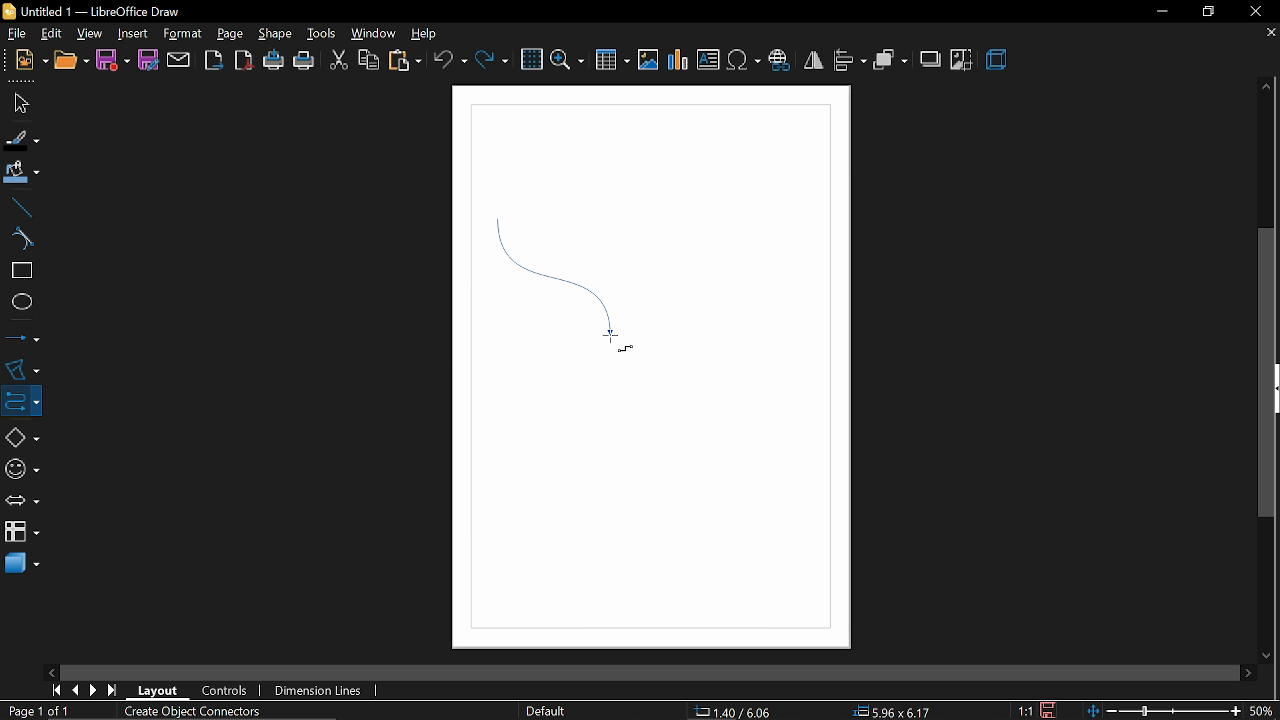  Describe the element at coordinates (20, 239) in the screenshot. I see `curve` at that location.